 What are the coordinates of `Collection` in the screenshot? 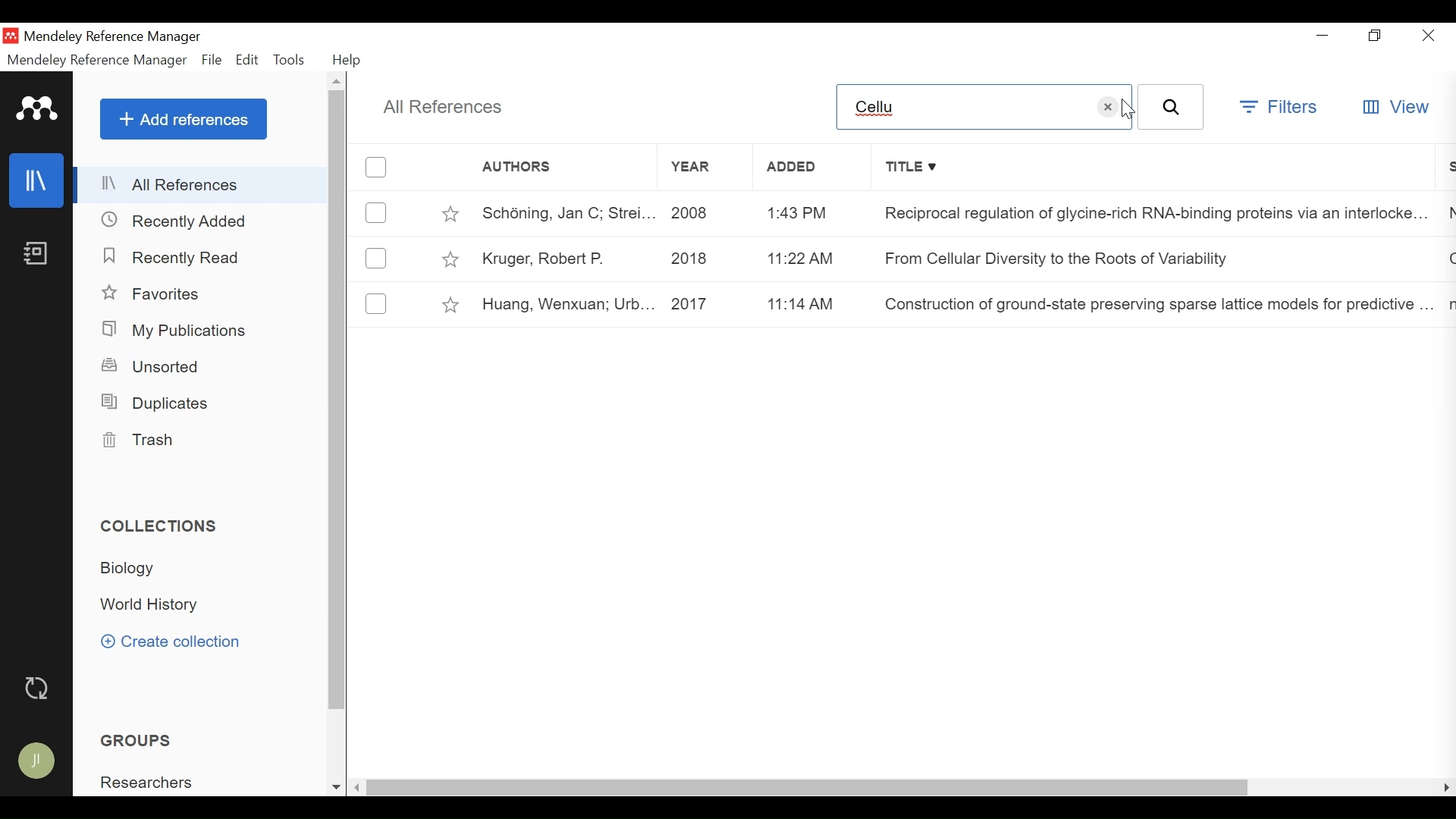 It's located at (153, 604).